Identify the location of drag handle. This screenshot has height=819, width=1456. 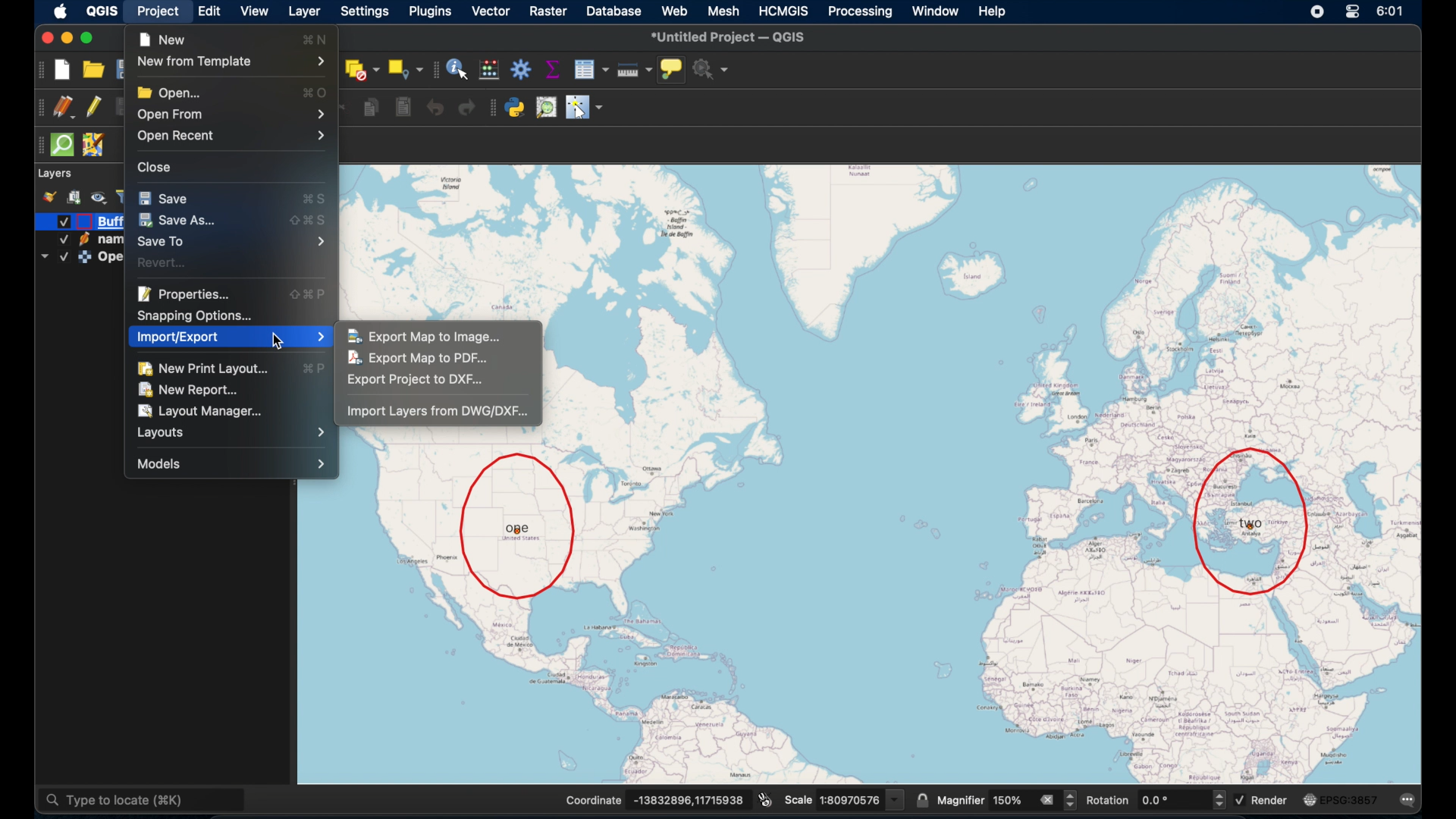
(39, 108).